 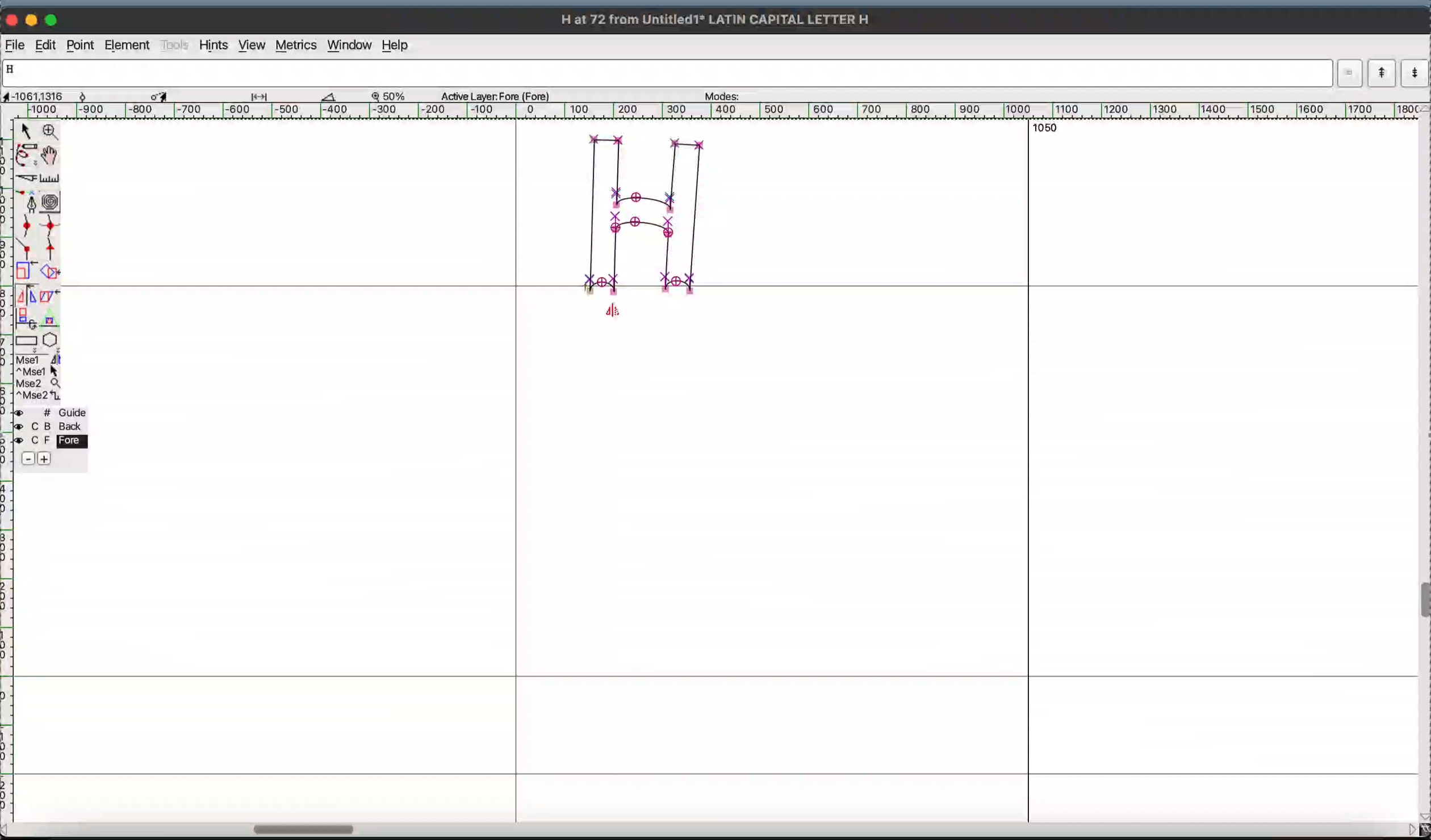 What do you see at coordinates (28, 251) in the screenshot?
I see `corner` at bounding box center [28, 251].